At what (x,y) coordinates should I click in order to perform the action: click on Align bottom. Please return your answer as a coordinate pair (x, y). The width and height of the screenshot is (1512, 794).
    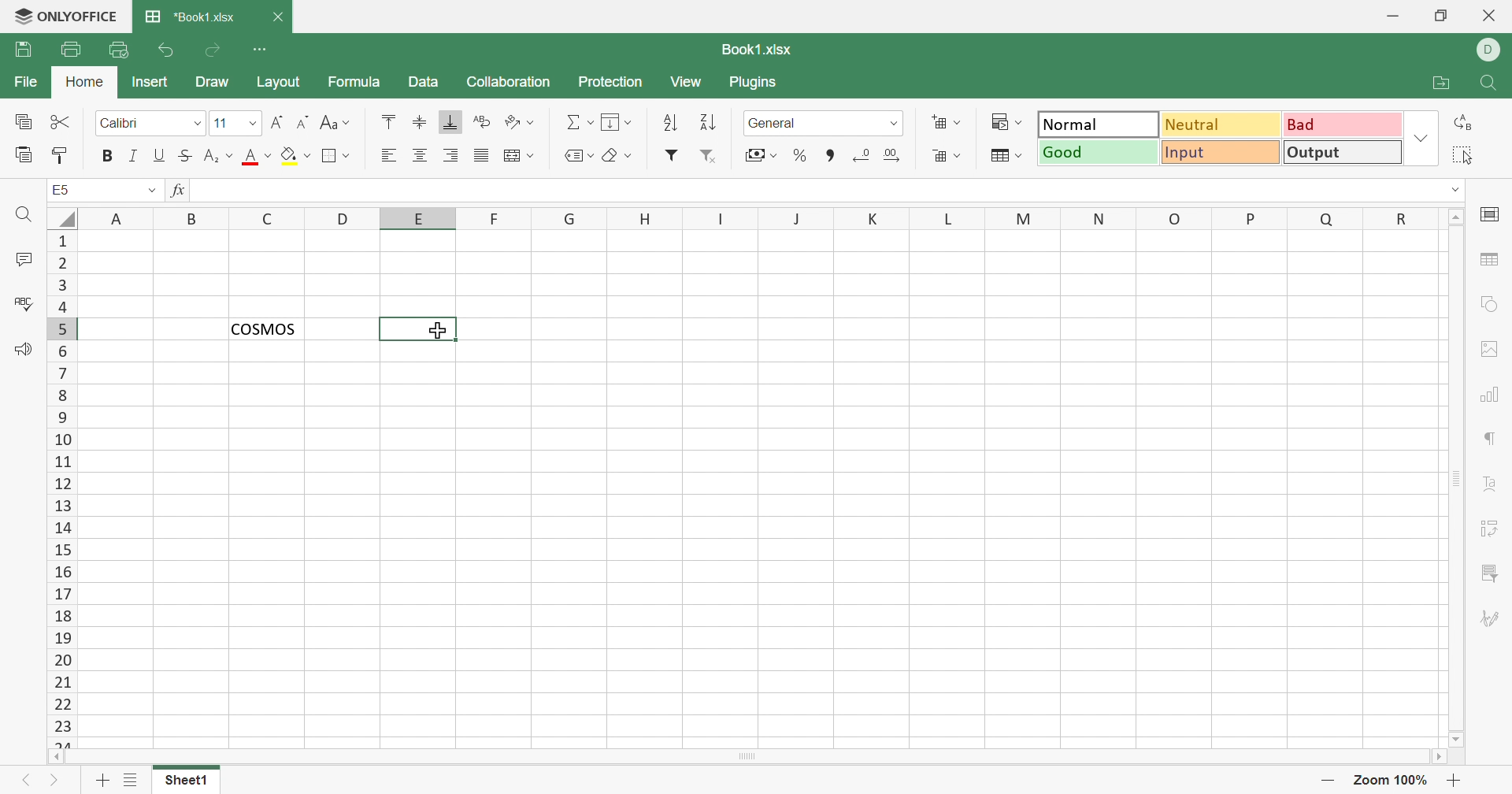
    Looking at the image, I should click on (451, 122).